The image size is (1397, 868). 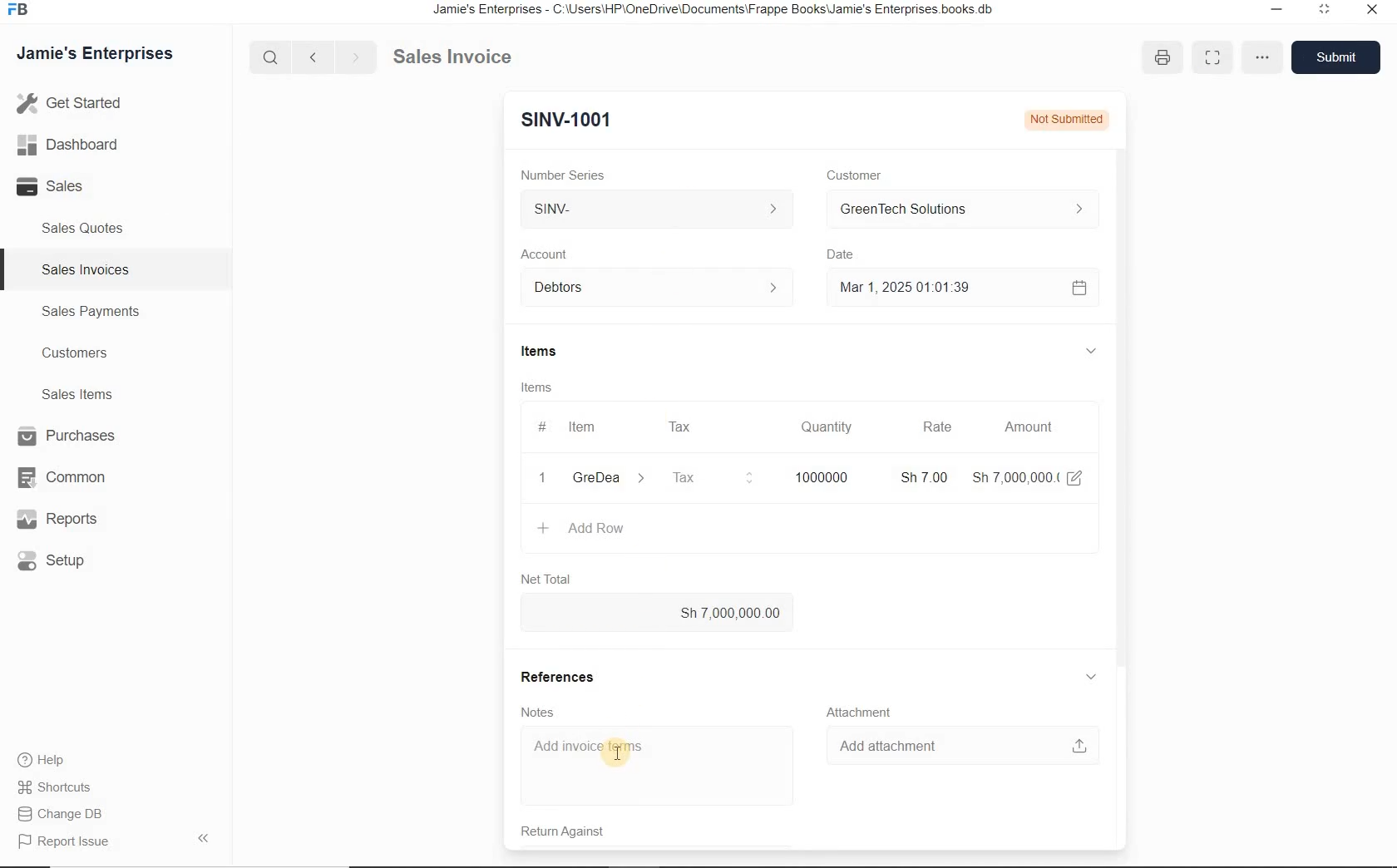 I want to click on frappe books, so click(x=17, y=11).